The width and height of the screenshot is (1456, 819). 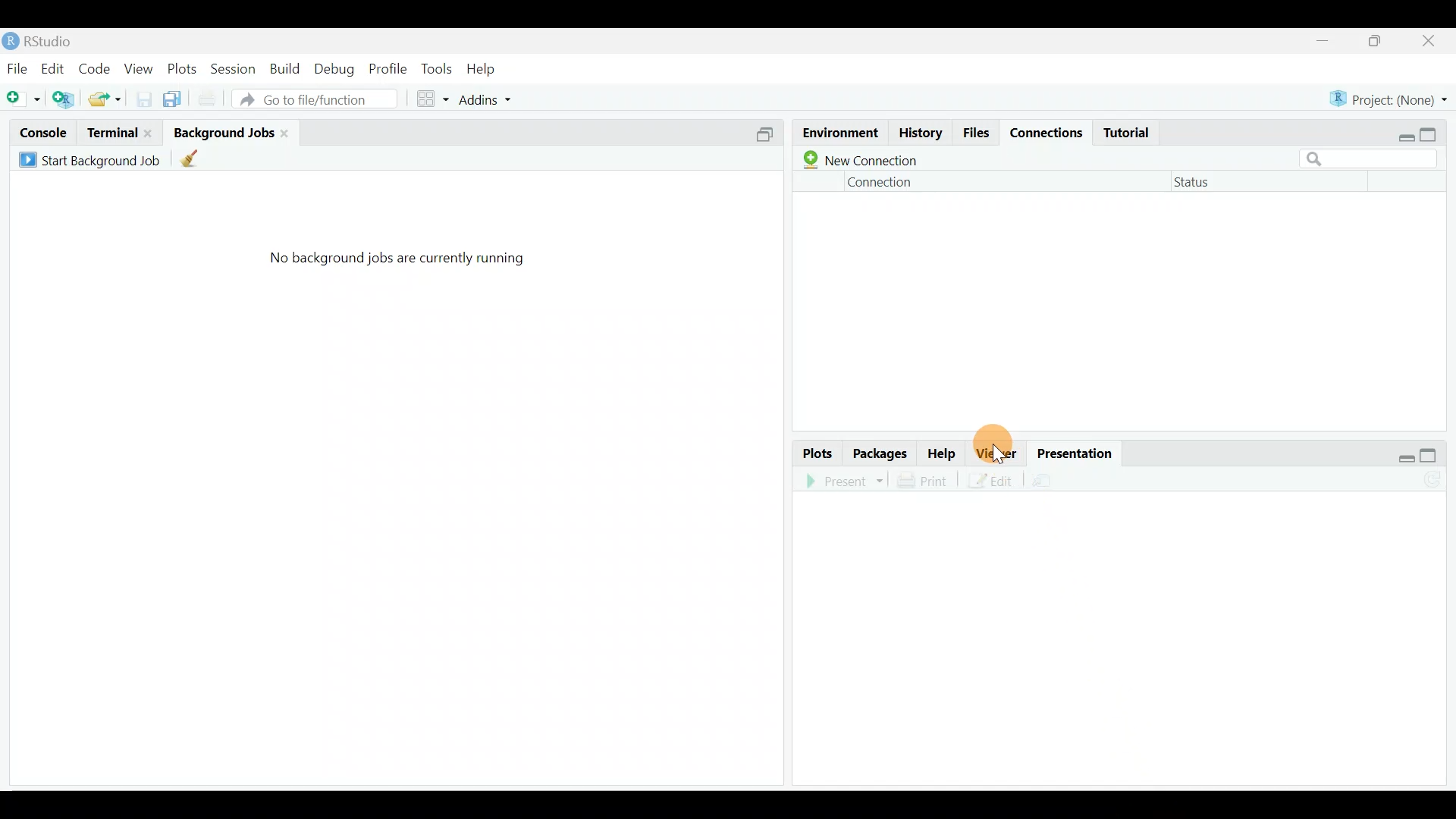 I want to click on Terminal, so click(x=111, y=131).